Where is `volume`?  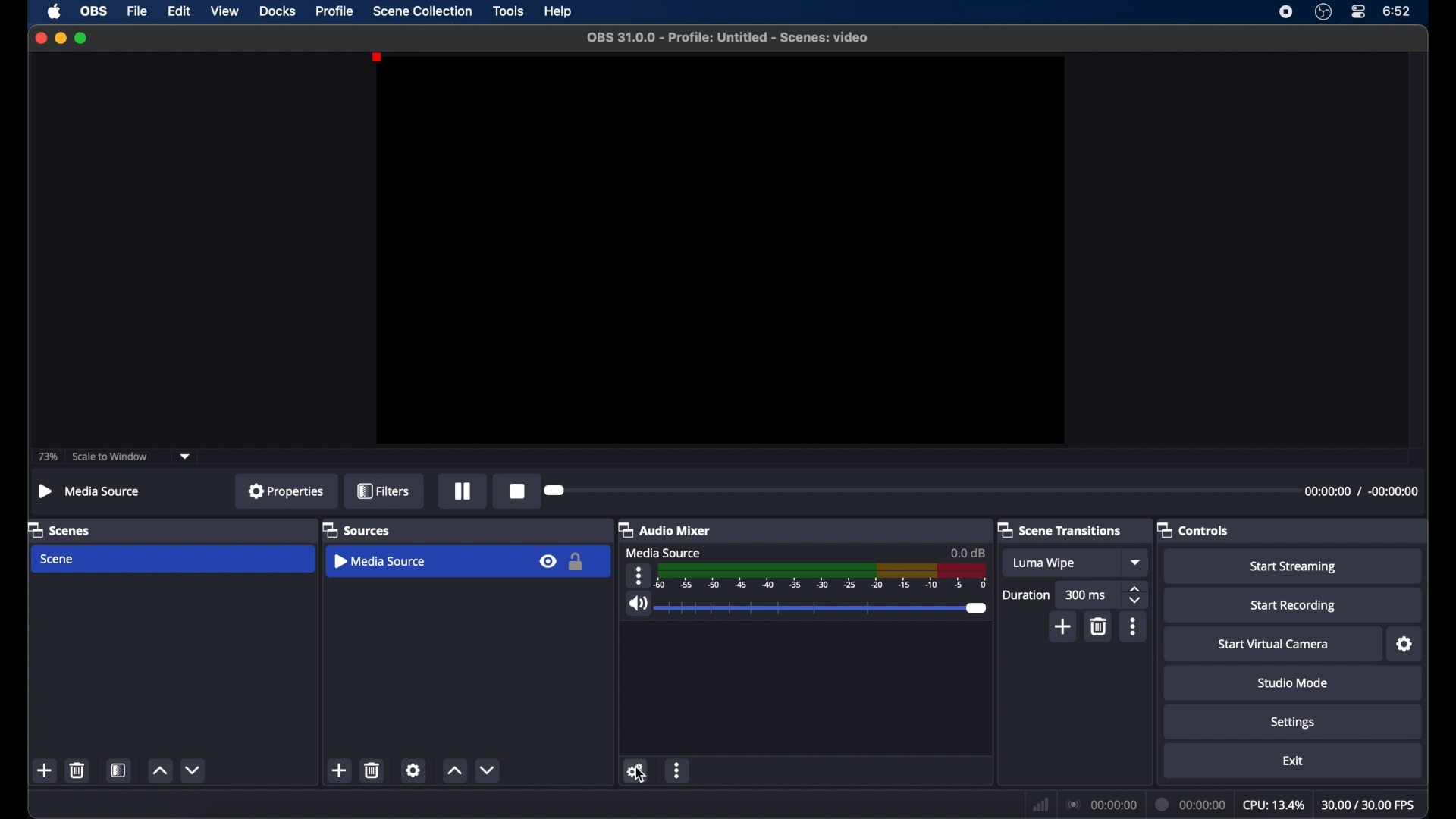
volume is located at coordinates (637, 604).